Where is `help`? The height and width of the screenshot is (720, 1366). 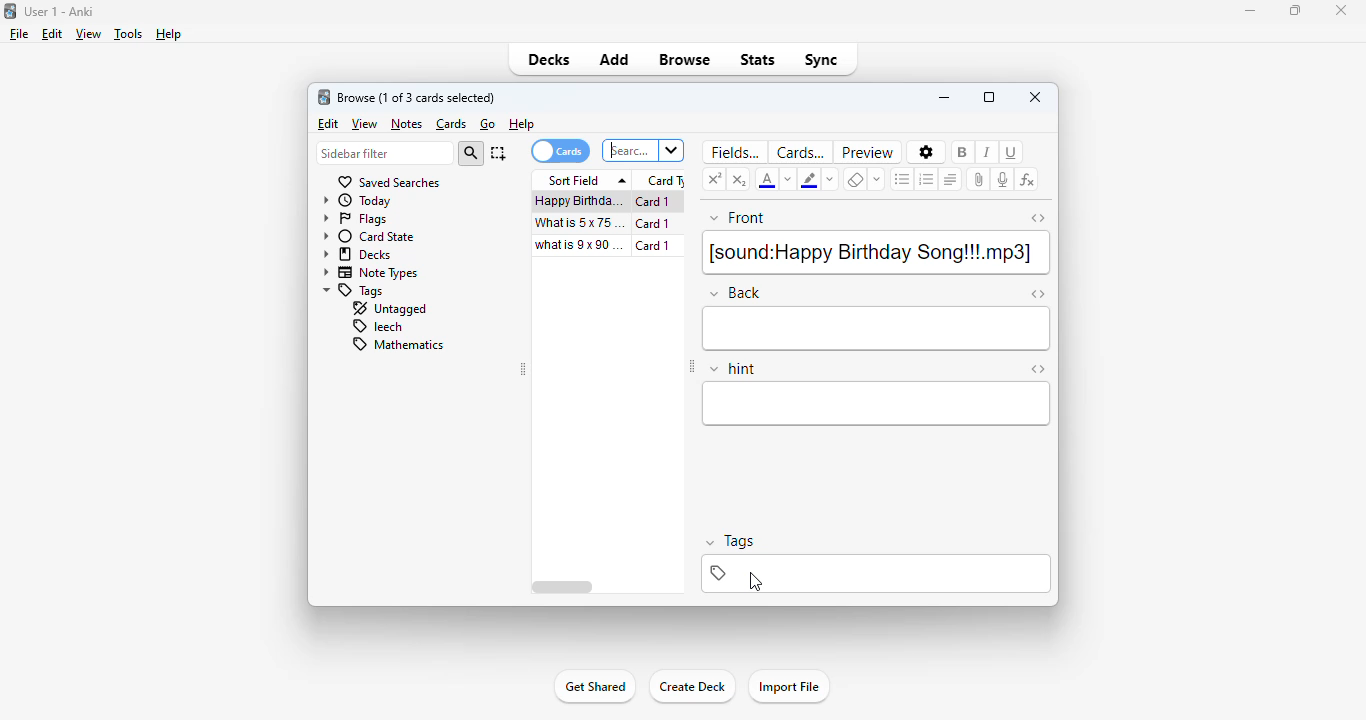
help is located at coordinates (169, 34).